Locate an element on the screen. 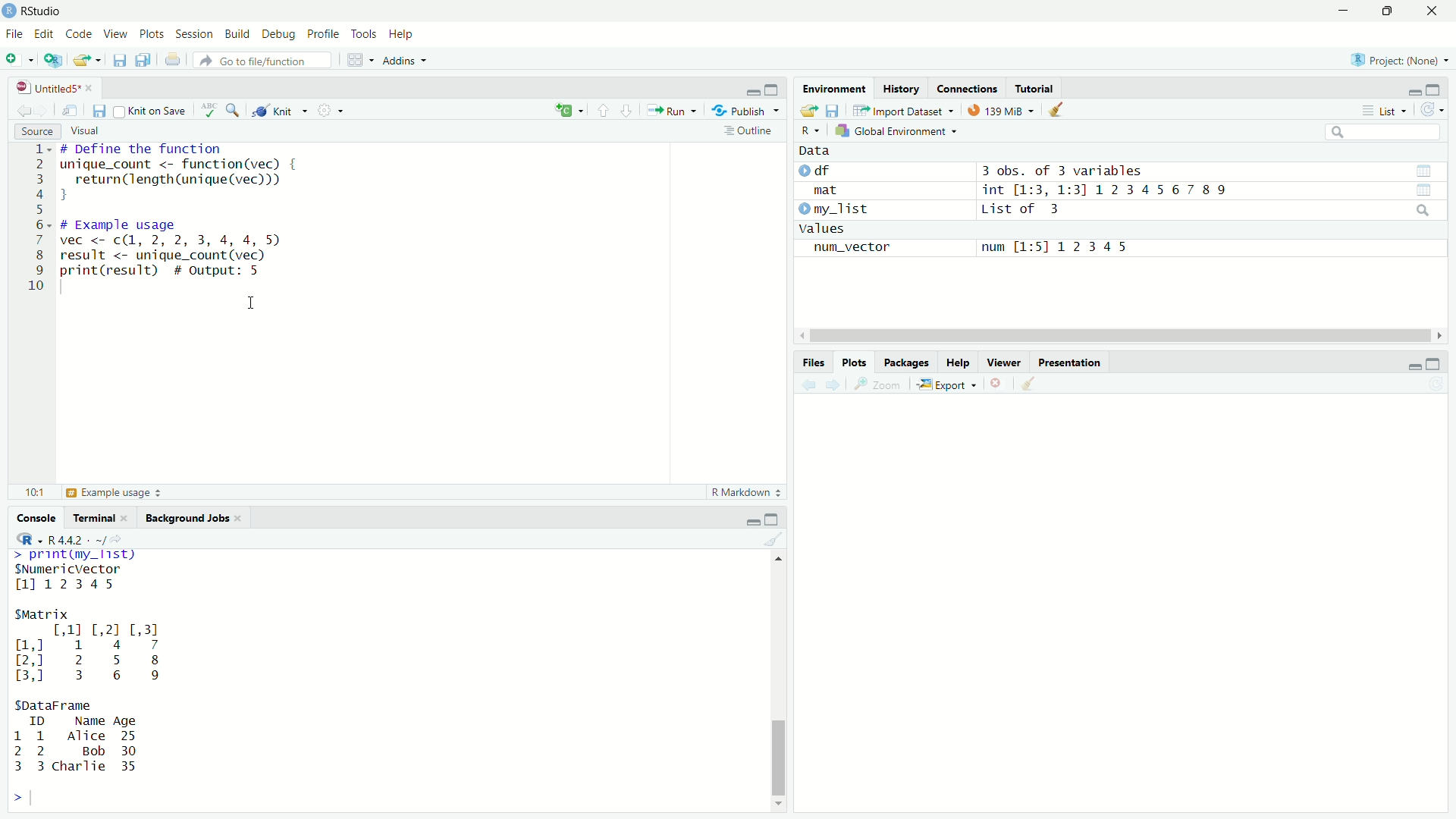 This screenshot has height=819, width=1456. find and replace is located at coordinates (237, 111).